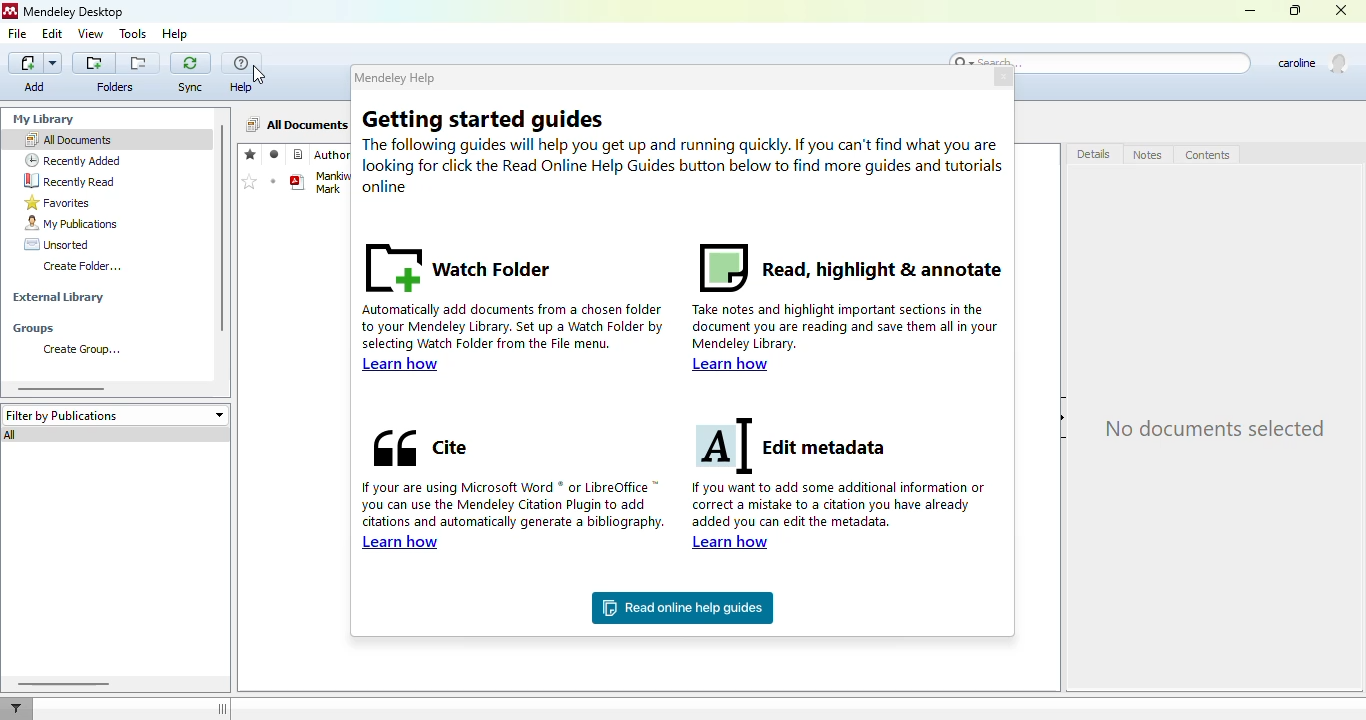 This screenshot has width=1366, height=720. What do you see at coordinates (1315, 62) in the screenshot?
I see `user profile` at bounding box center [1315, 62].